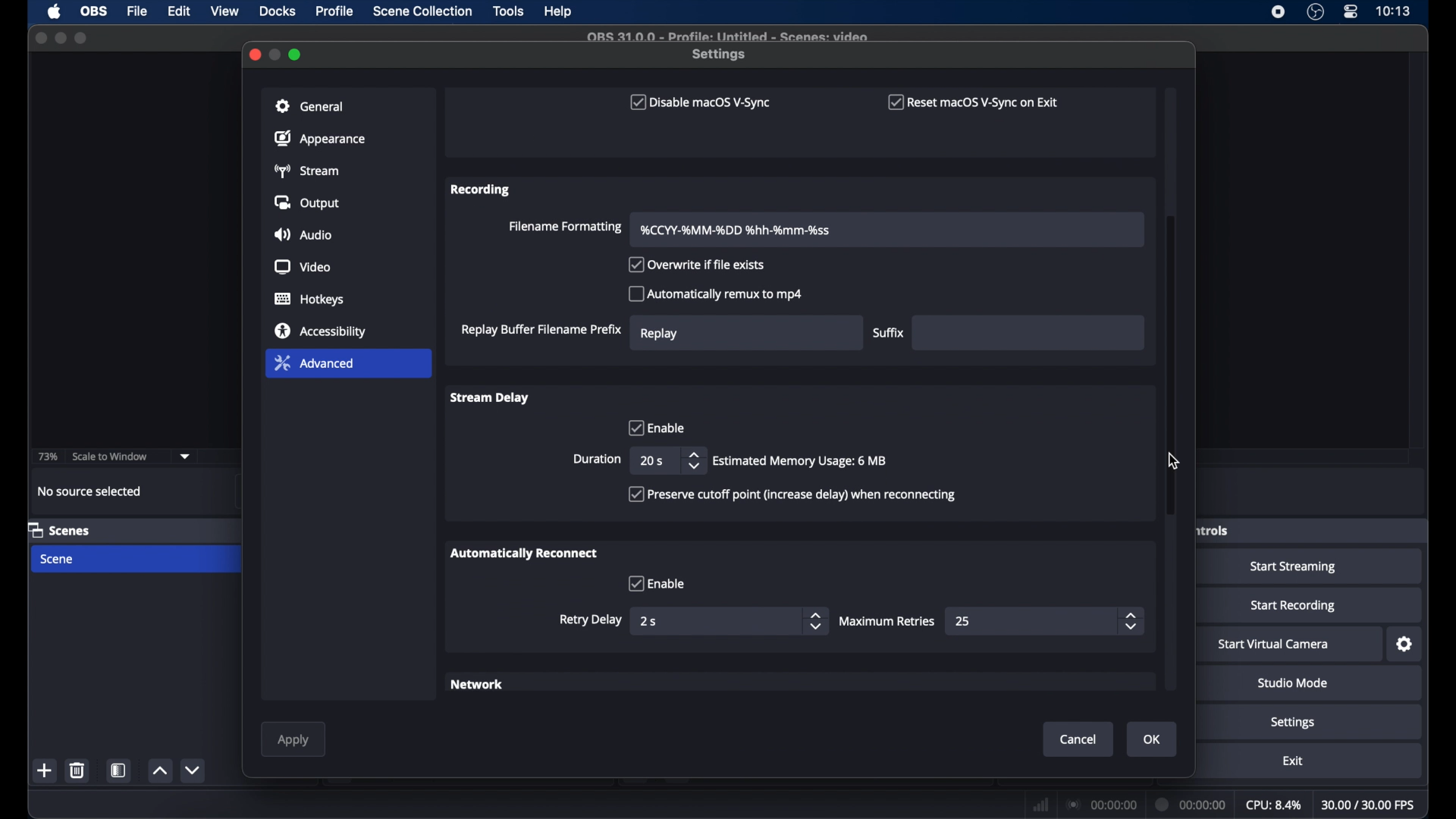  I want to click on connection, so click(1100, 804).